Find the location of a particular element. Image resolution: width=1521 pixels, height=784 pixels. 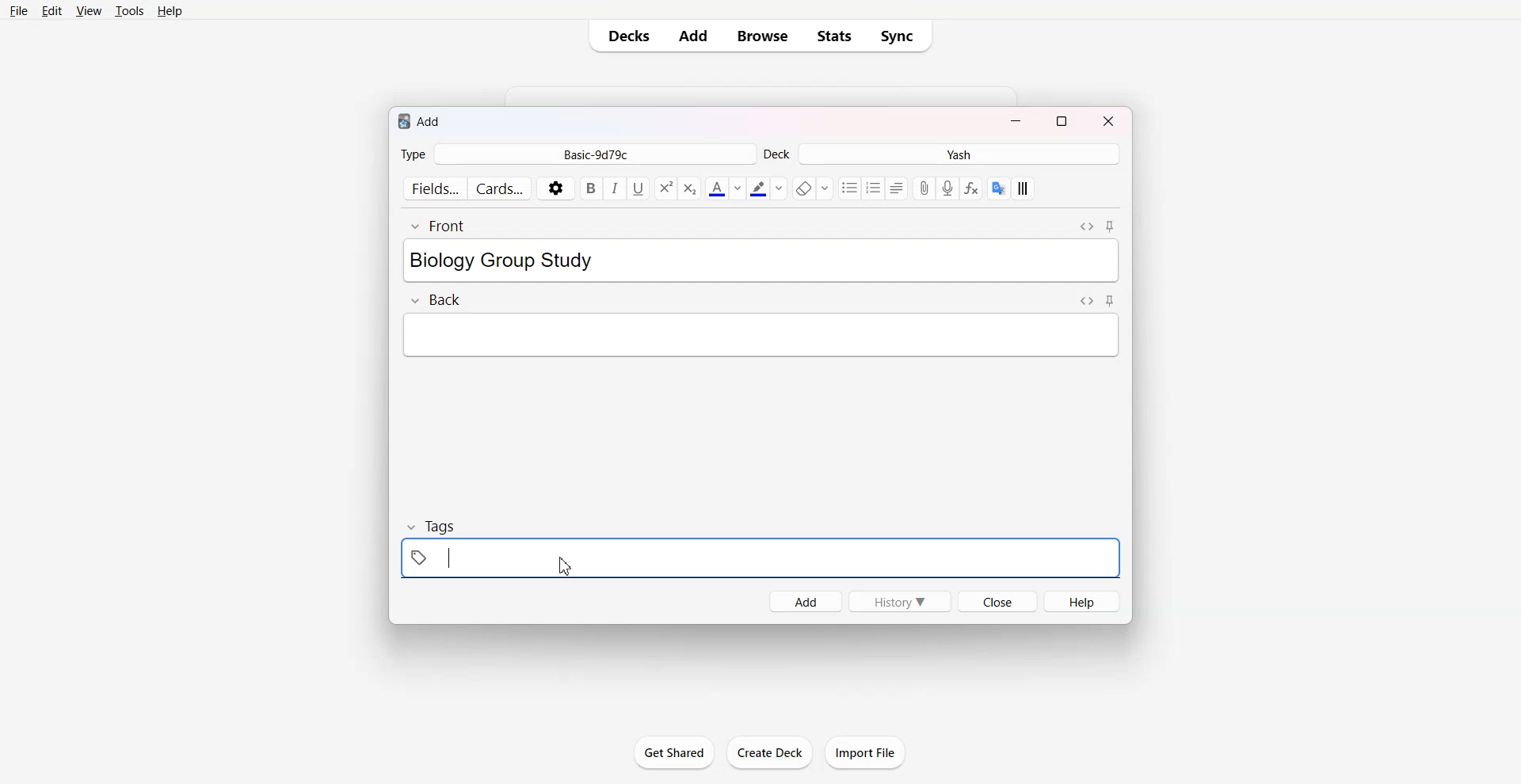

Alignment is located at coordinates (898, 188).